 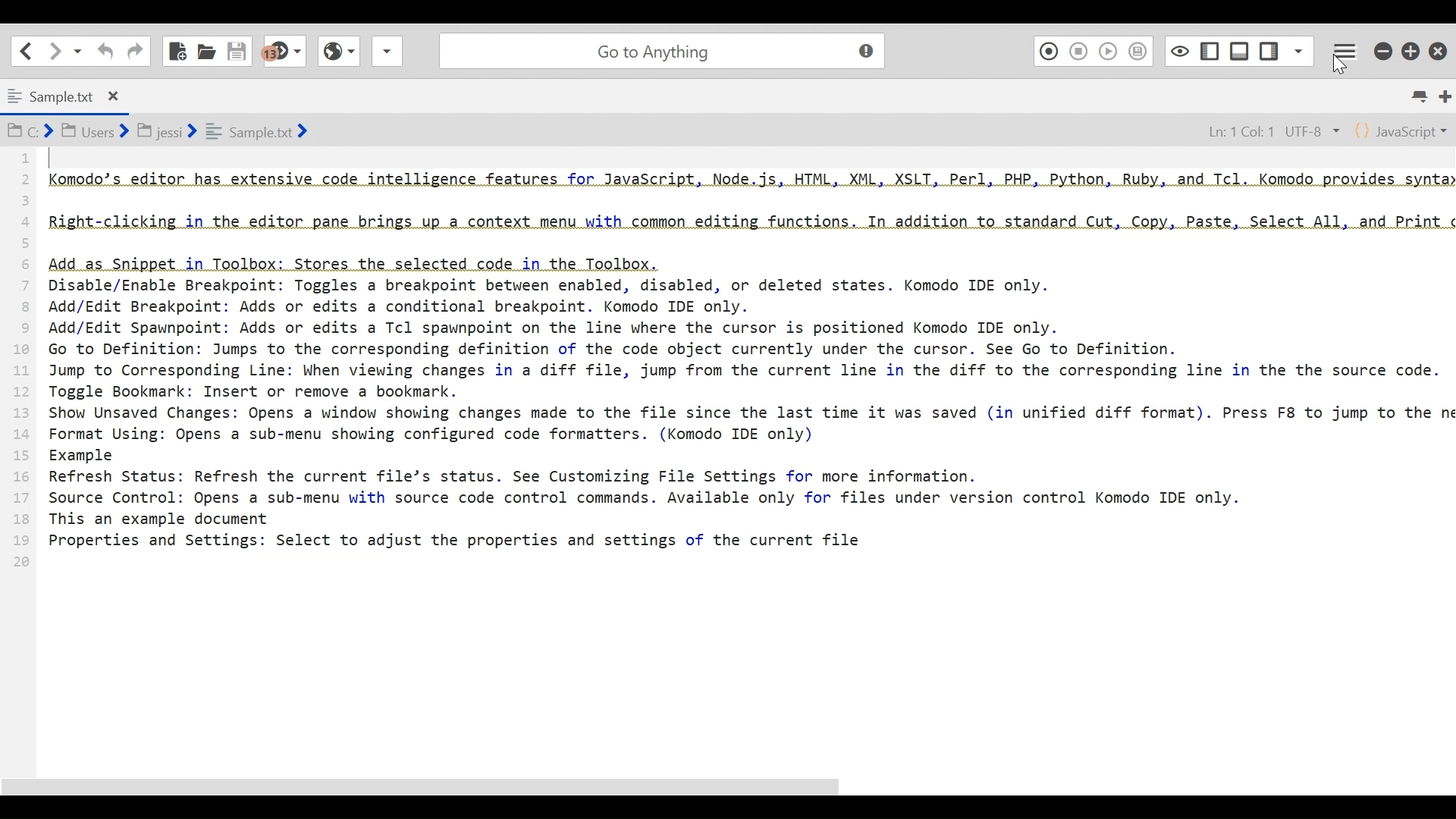 What do you see at coordinates (387, 55) in the screenshot?
I see `dropdown` at bounding box center [387, 55].